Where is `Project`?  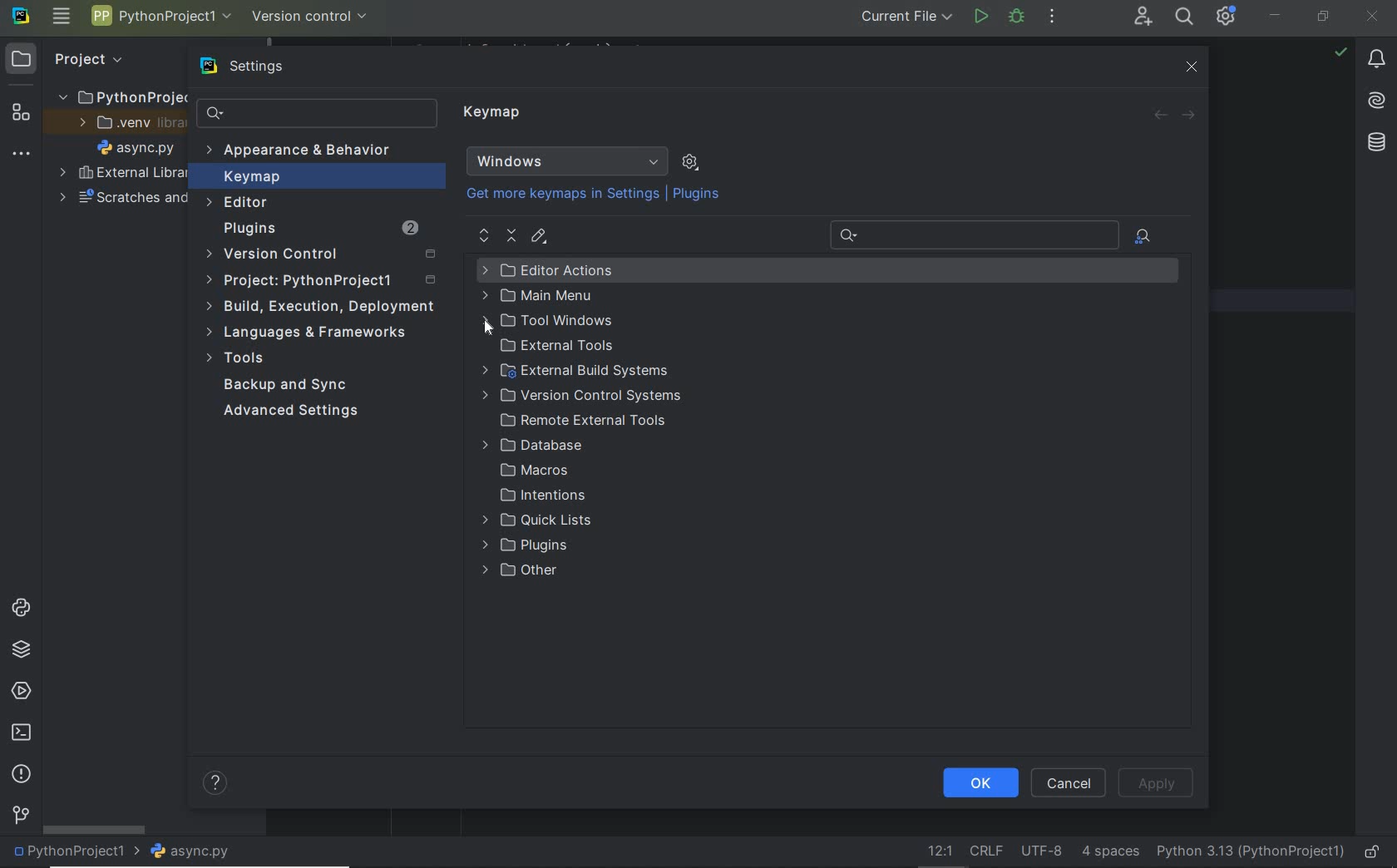 Project is located at coordinates (72, 58).